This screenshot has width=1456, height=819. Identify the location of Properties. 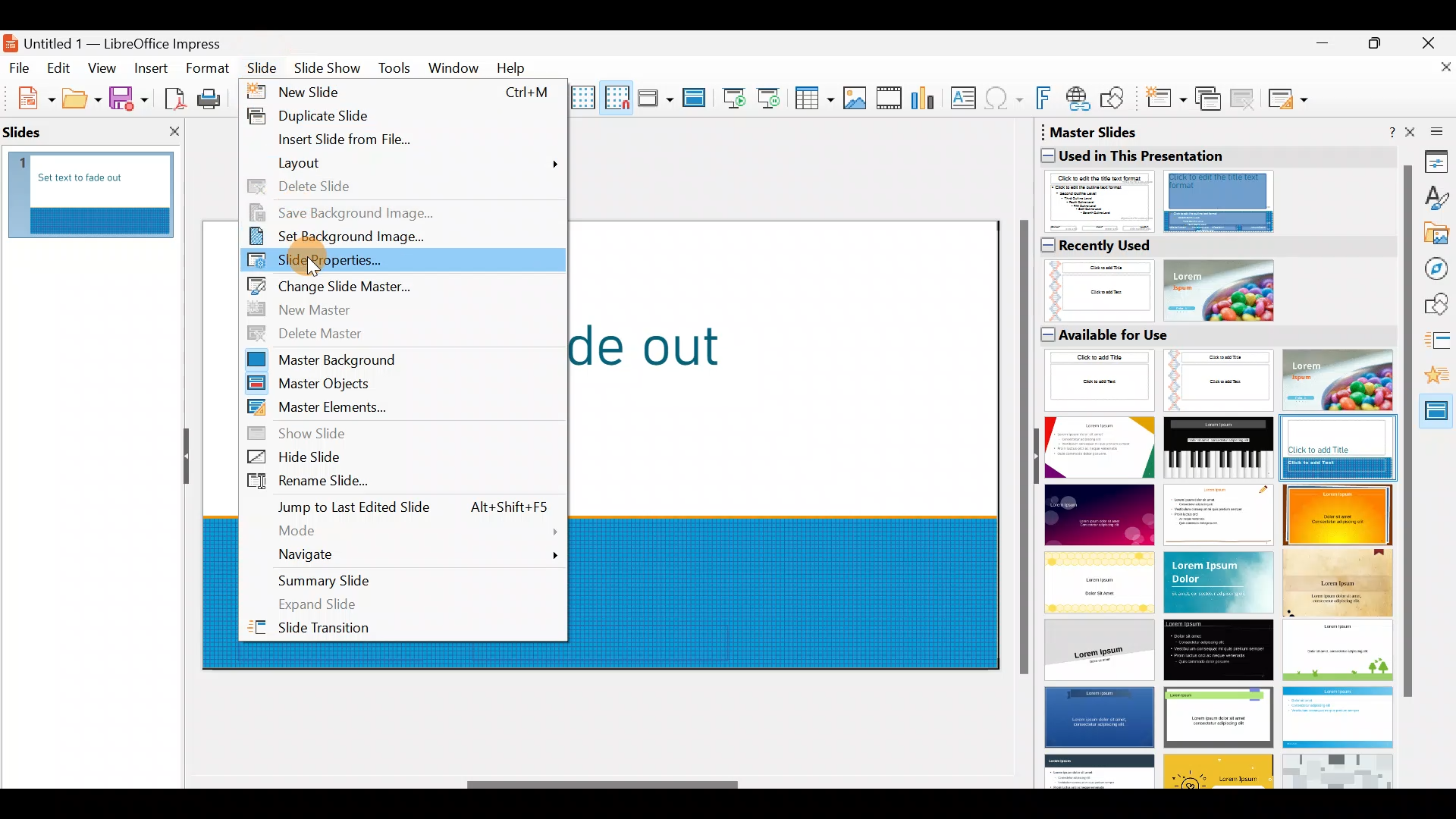
(1437, 161).